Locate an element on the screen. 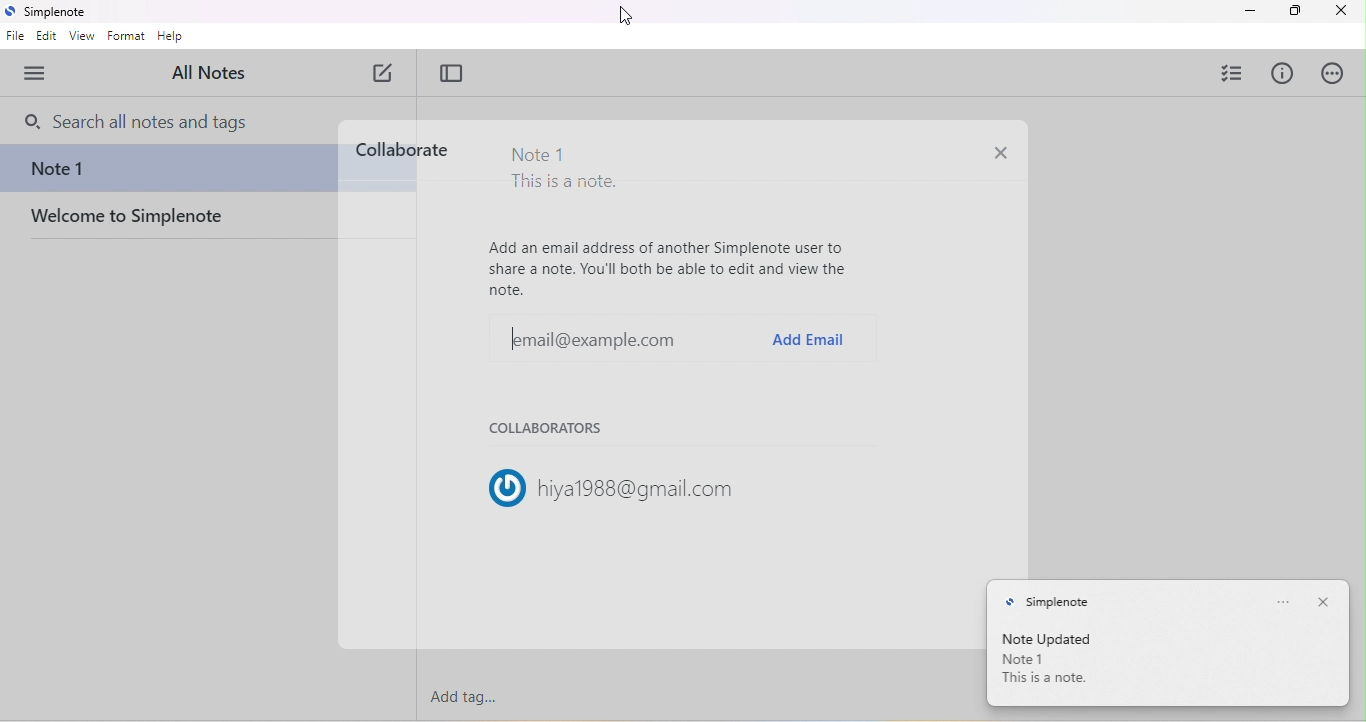  help is located at coordinates (171, 37).